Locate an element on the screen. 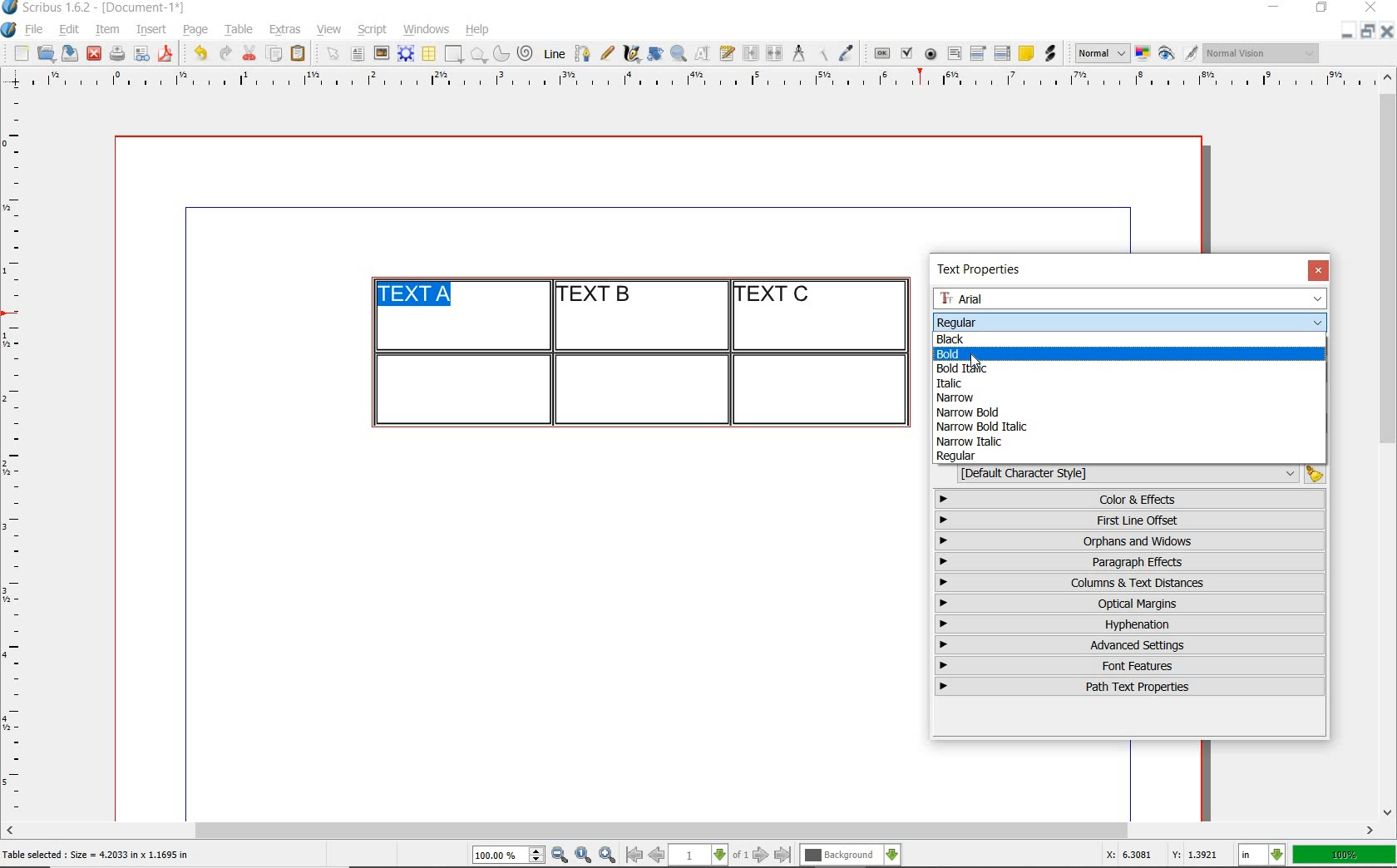 This screenshot has height=868, width=1397. system logo is located at coordinates (10, 30).